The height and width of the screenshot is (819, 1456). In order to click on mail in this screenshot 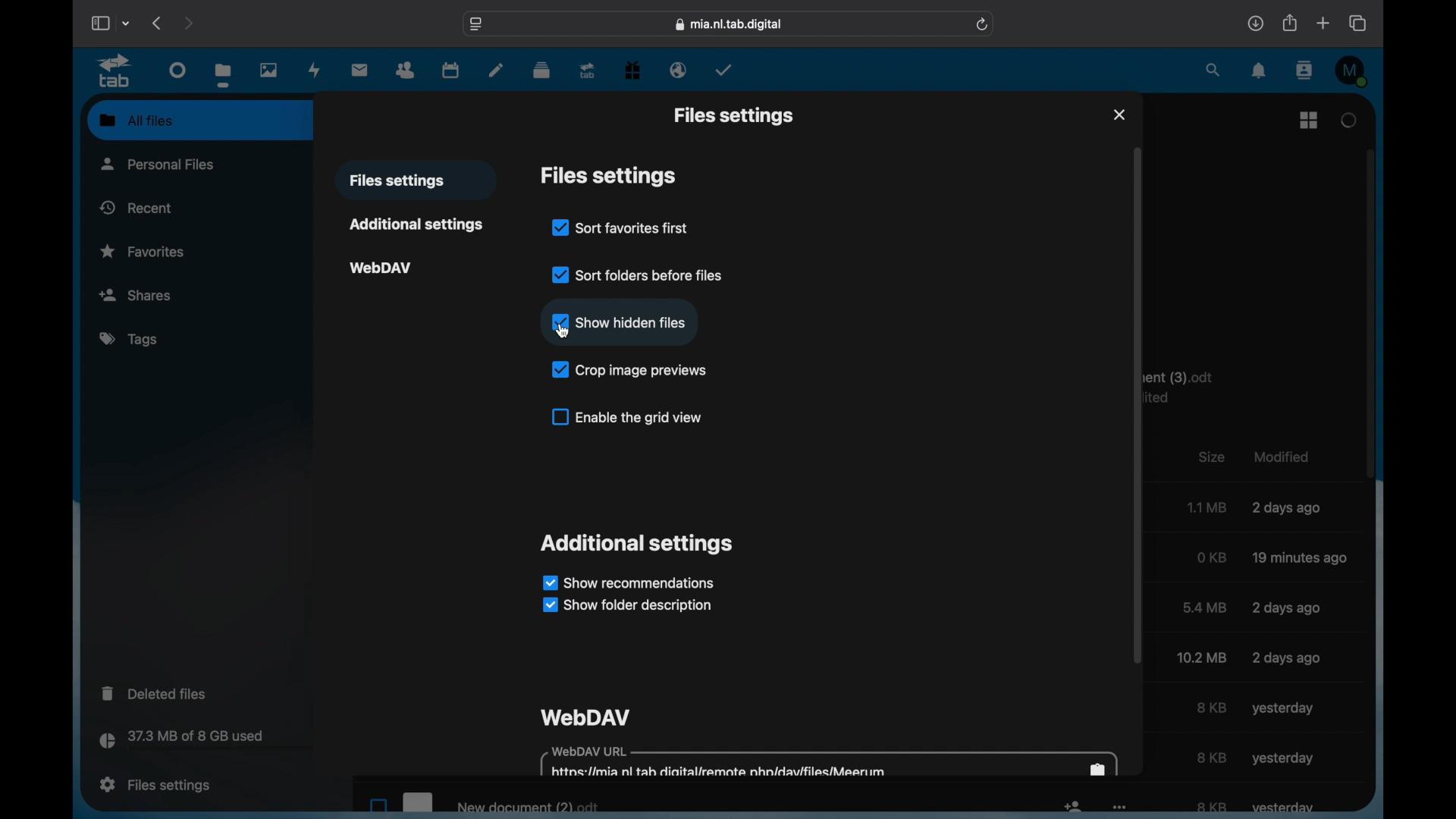, I will do `click(360, 71)`.